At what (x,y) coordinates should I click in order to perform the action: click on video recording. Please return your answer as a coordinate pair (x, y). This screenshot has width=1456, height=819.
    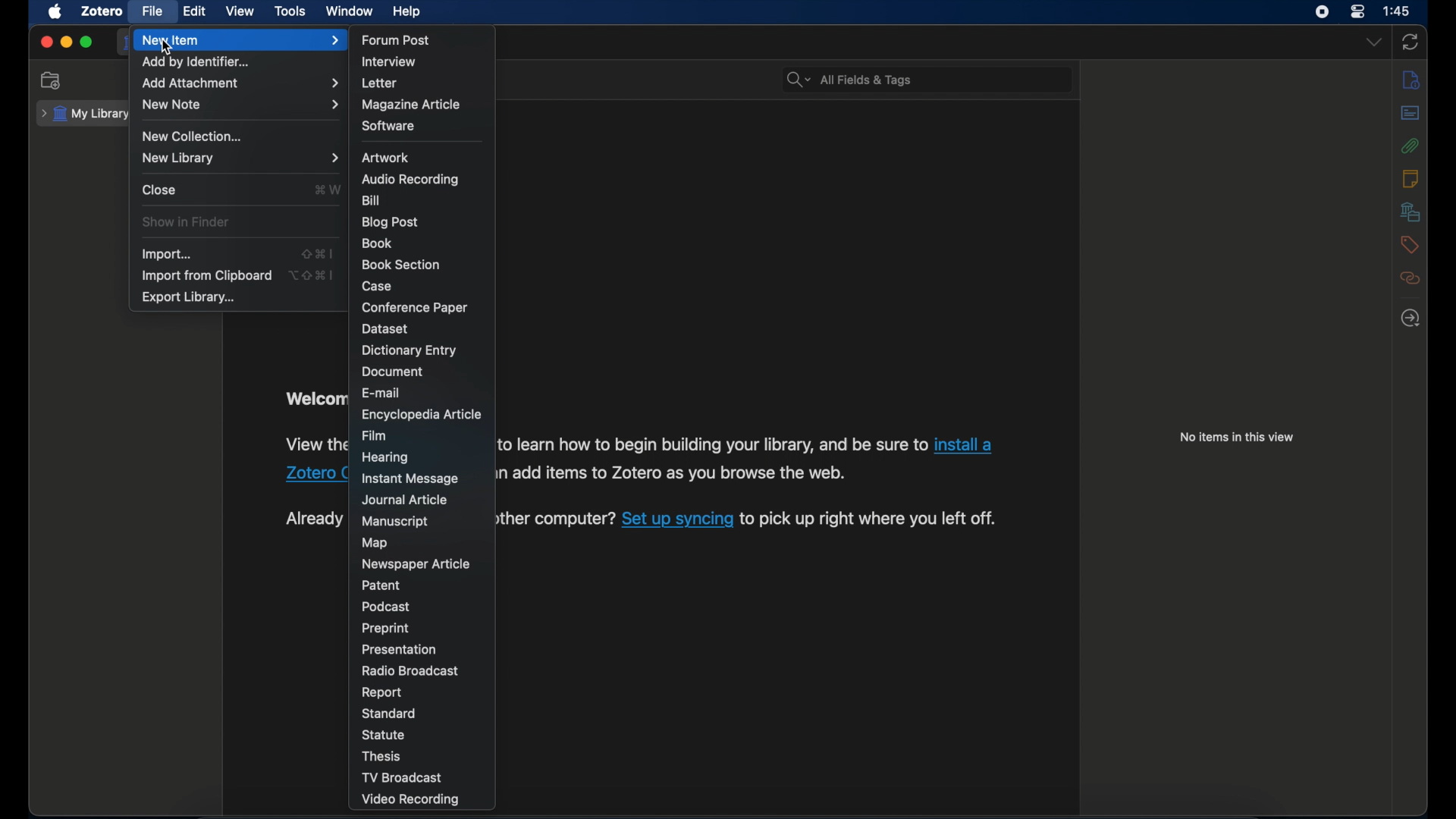
    Looking at the image, I should click on (411, 799).